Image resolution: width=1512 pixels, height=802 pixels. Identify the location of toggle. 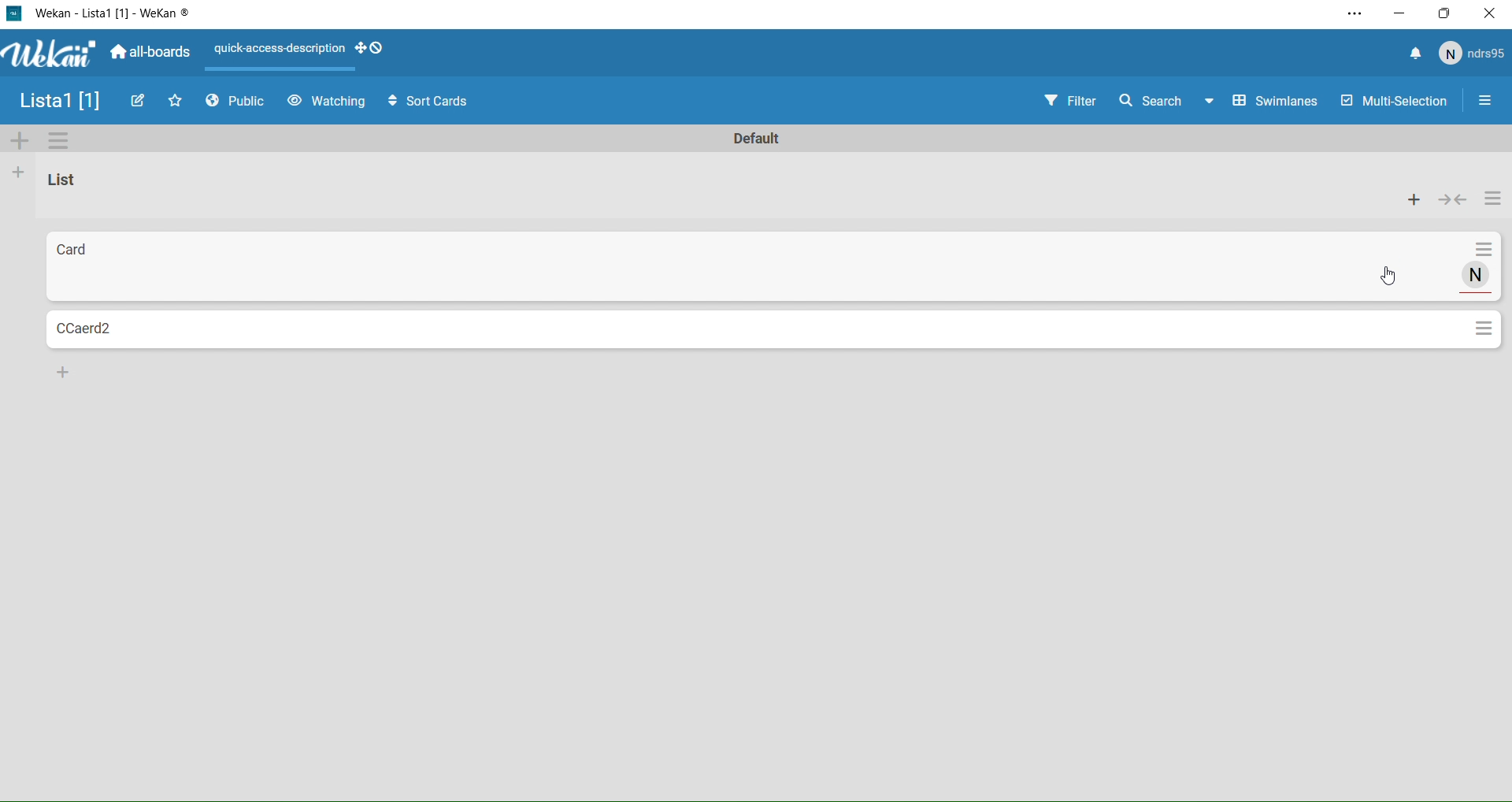
(1454, 199).